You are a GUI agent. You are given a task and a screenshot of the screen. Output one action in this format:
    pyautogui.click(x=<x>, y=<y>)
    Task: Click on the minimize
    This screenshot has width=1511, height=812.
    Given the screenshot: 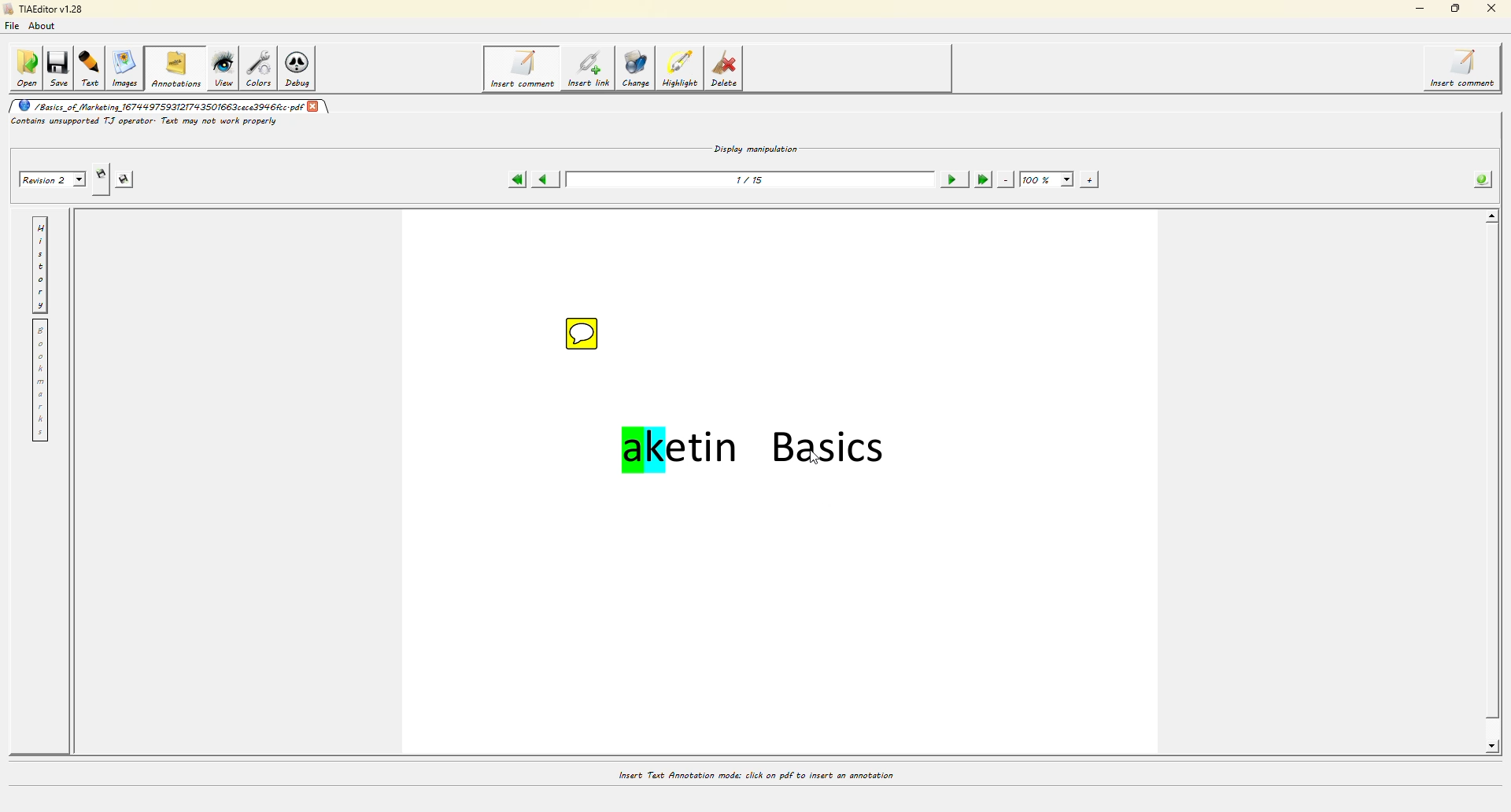 What is the action you would take?
    pyautogui.click(x=1417, y=9)
    